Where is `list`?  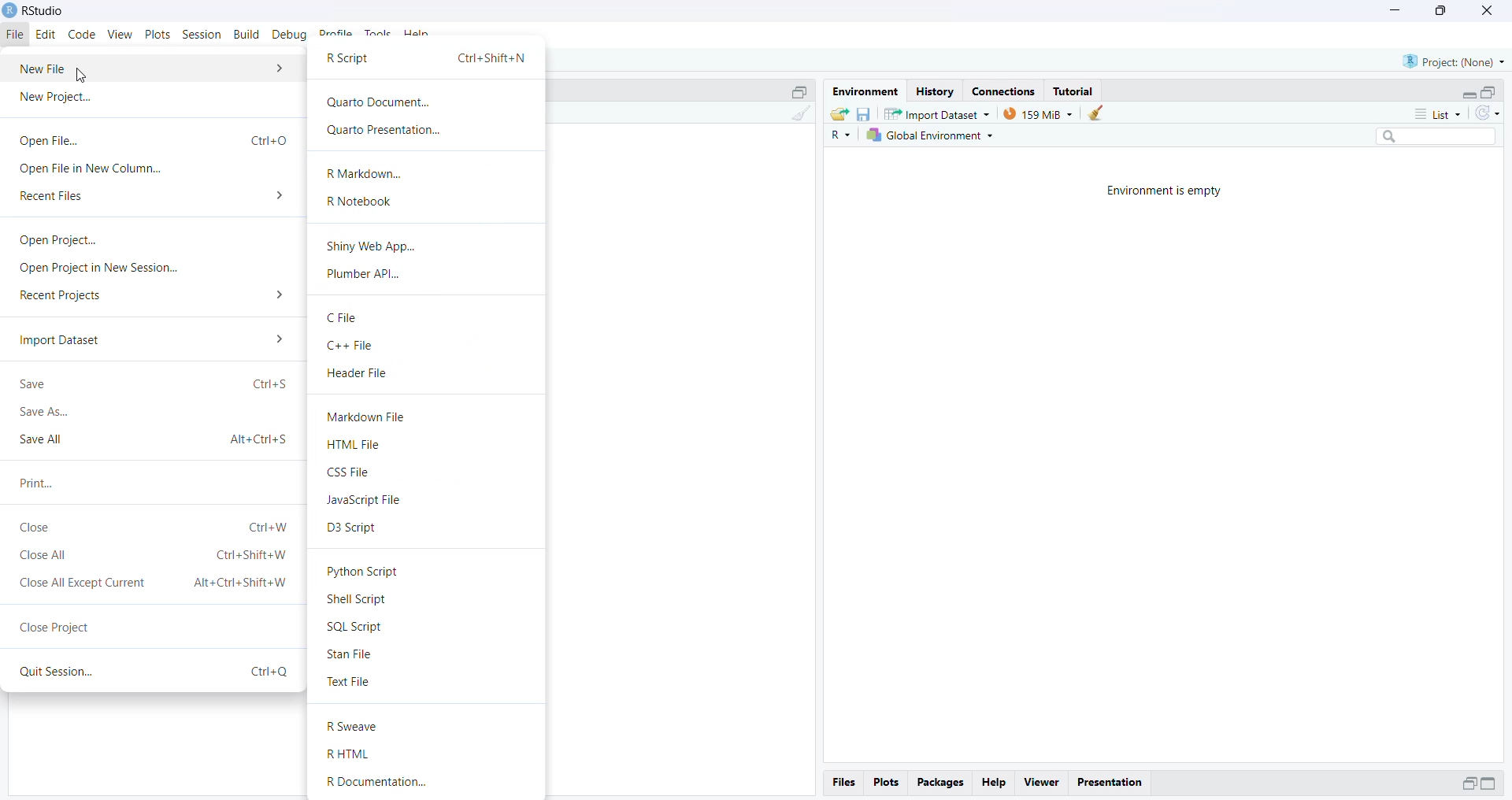 list is located at coordinates (1430, 113).